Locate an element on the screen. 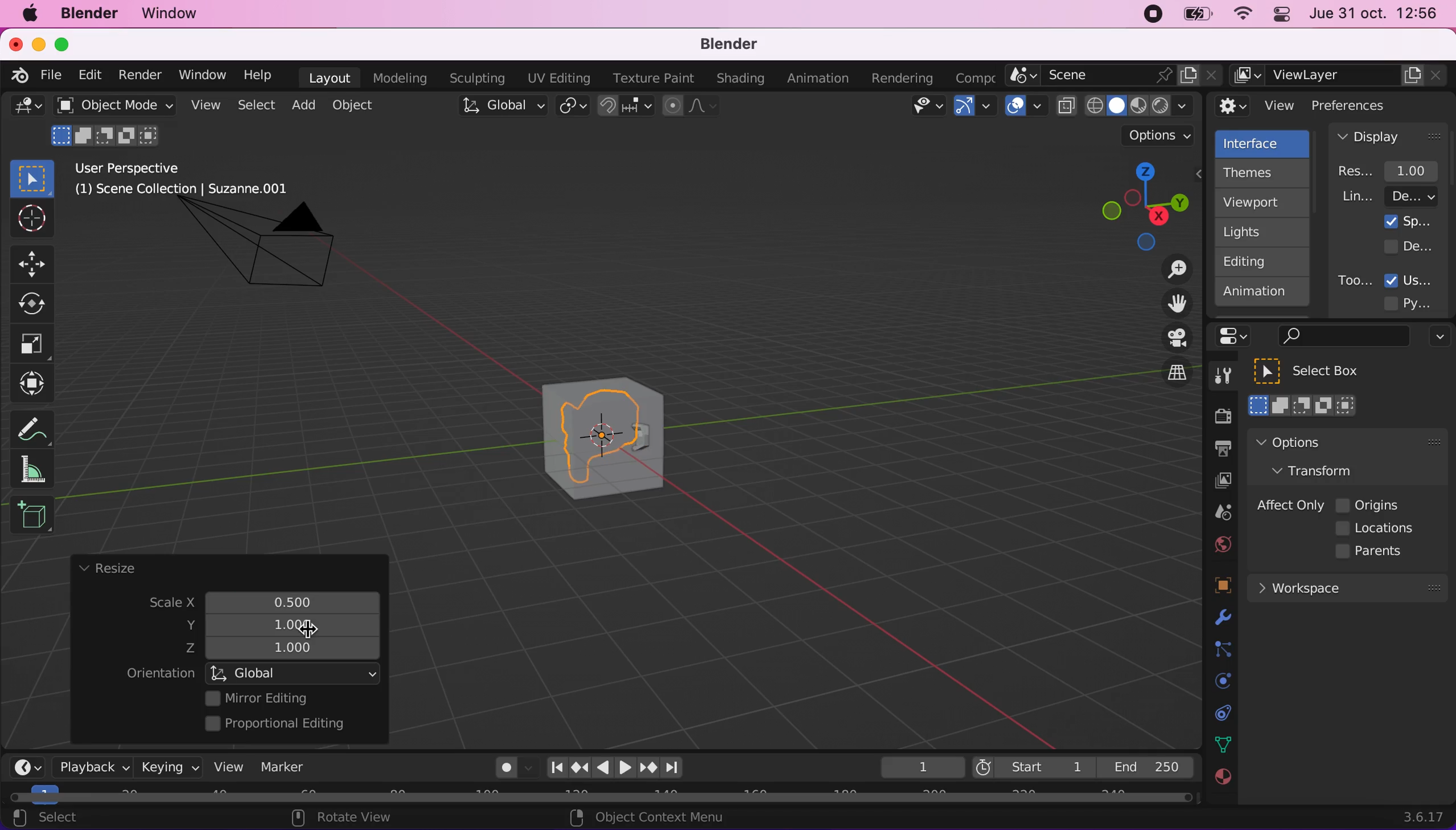 The image size is (1456, 830). scale y is located at coordinates (284, 625).